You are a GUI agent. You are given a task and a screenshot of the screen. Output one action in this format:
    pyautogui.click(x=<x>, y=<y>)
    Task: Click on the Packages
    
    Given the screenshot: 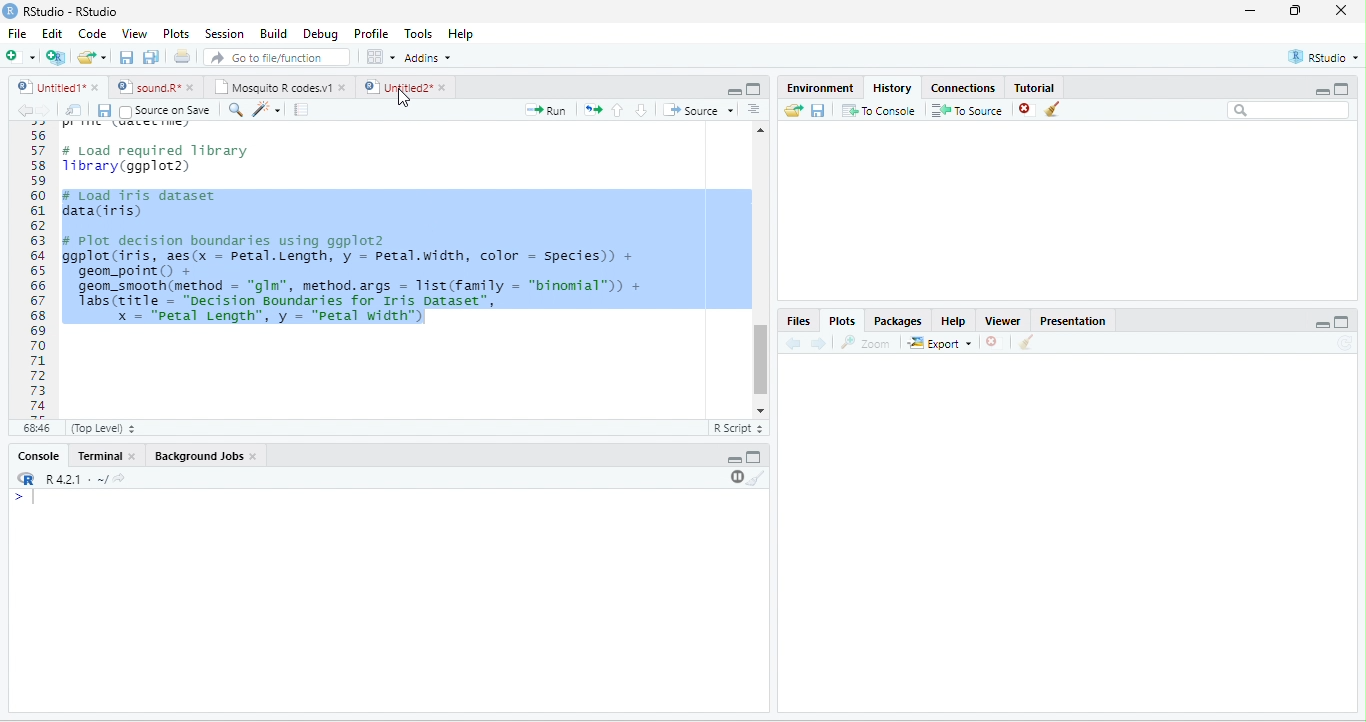 What is the action you would take?
    pyautogui.click(x=898, y=322)
    